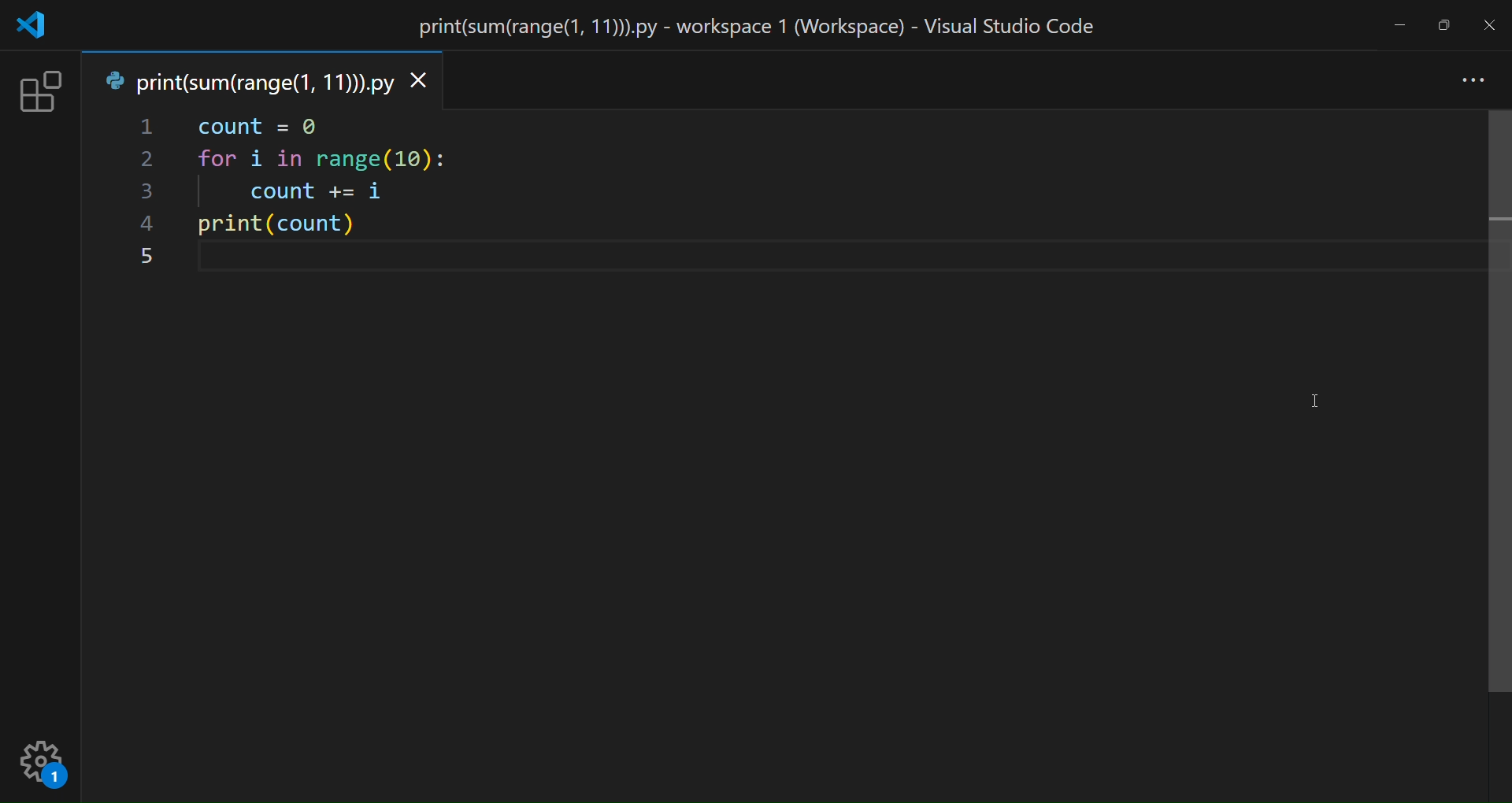  What do you see at coordinates (246, 81) in the screenshot?
I see `tab name` at bounding box center [246, 81].